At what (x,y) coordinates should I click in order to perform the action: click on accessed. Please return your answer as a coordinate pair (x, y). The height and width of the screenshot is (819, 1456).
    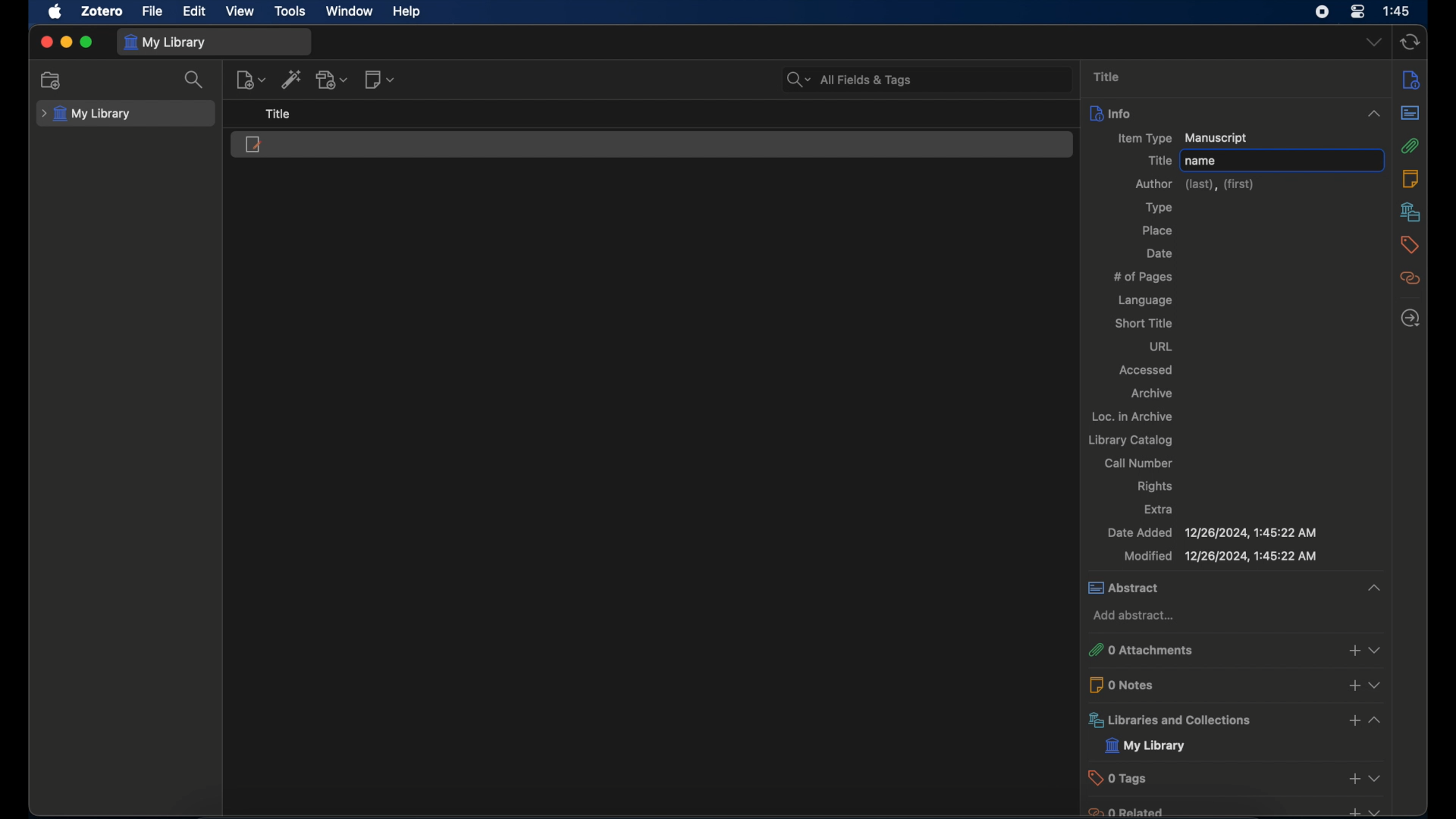
    Looking at the image, I should click on (1147, 371).